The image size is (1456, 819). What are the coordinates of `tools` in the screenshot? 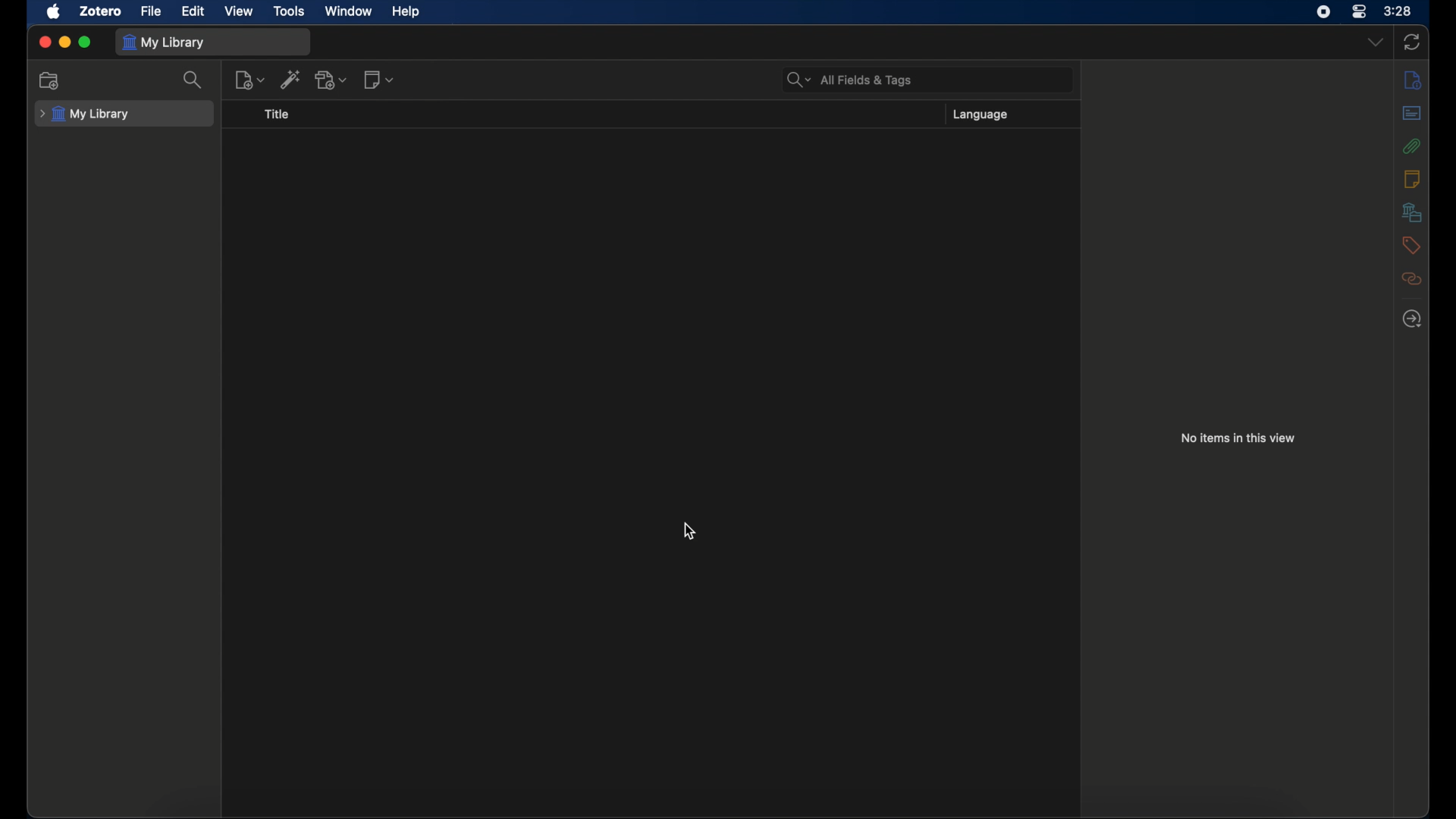 It's located at (290, 11).